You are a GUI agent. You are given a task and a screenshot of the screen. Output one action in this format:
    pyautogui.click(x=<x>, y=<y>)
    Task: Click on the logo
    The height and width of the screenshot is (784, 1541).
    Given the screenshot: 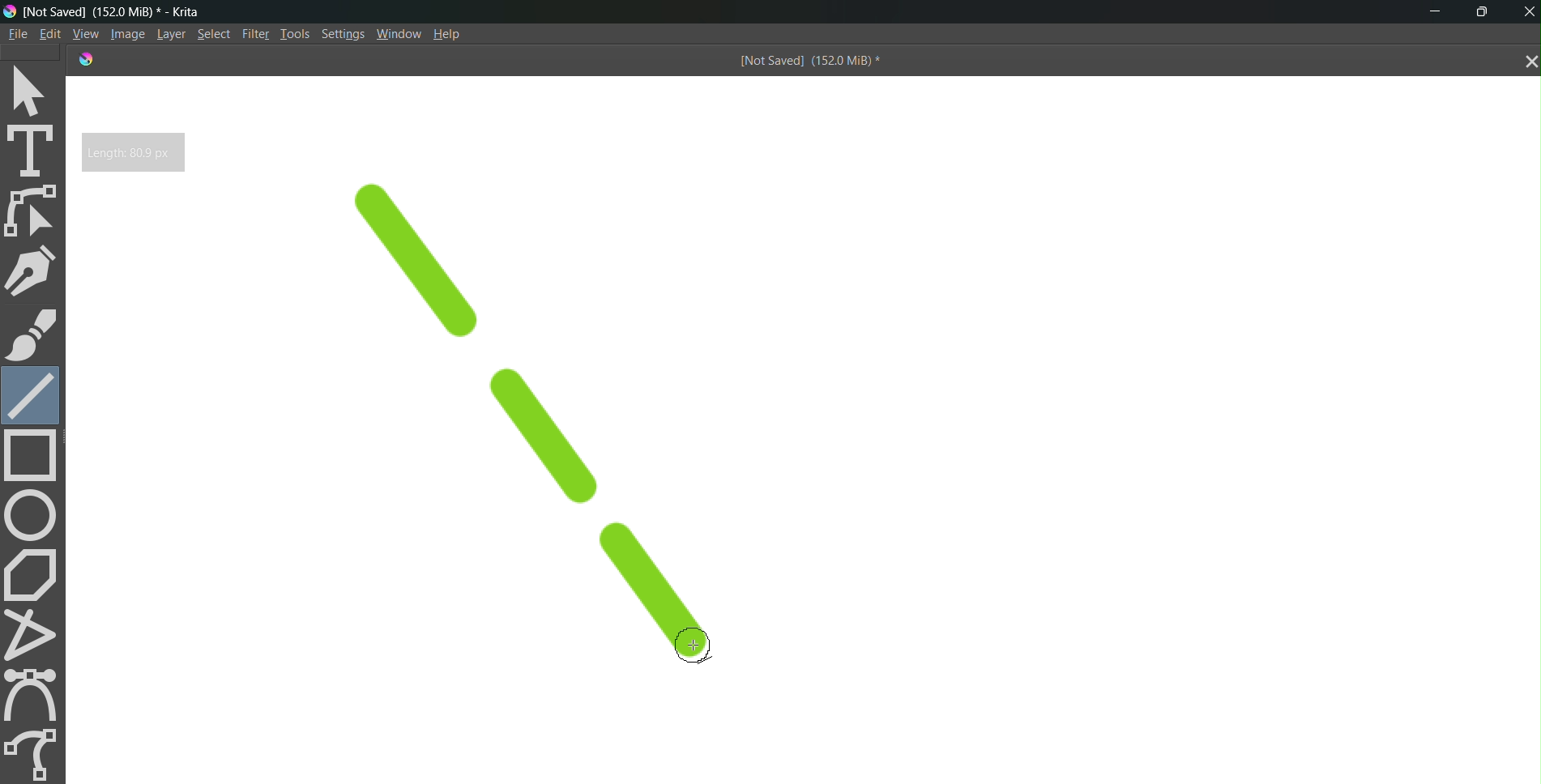 What is the action you would take?
    pyautogui.click(x=10, y=11)
    